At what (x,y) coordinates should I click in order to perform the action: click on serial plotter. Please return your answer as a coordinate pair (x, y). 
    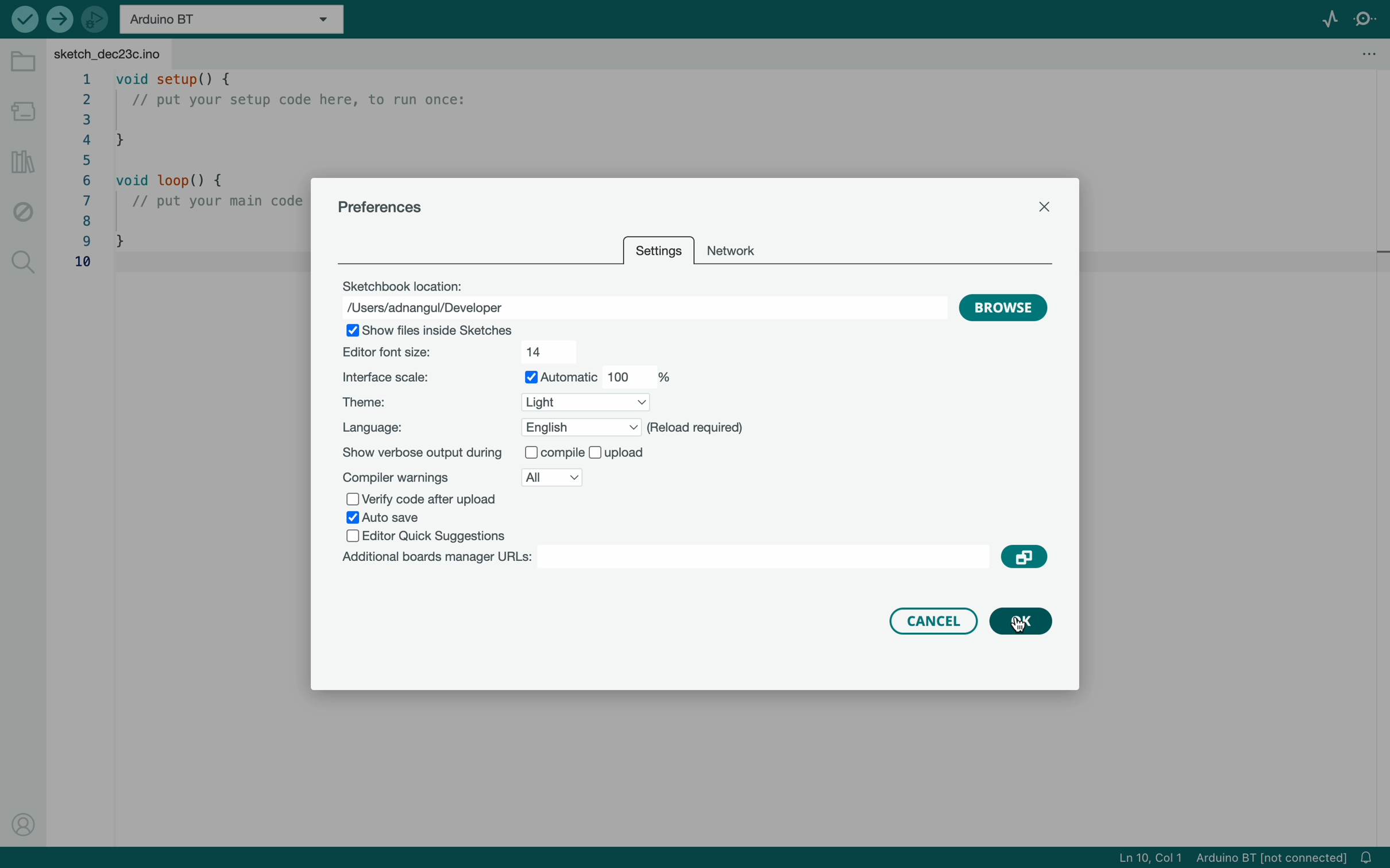
    Looking at the image, I should click on (1323, 18).